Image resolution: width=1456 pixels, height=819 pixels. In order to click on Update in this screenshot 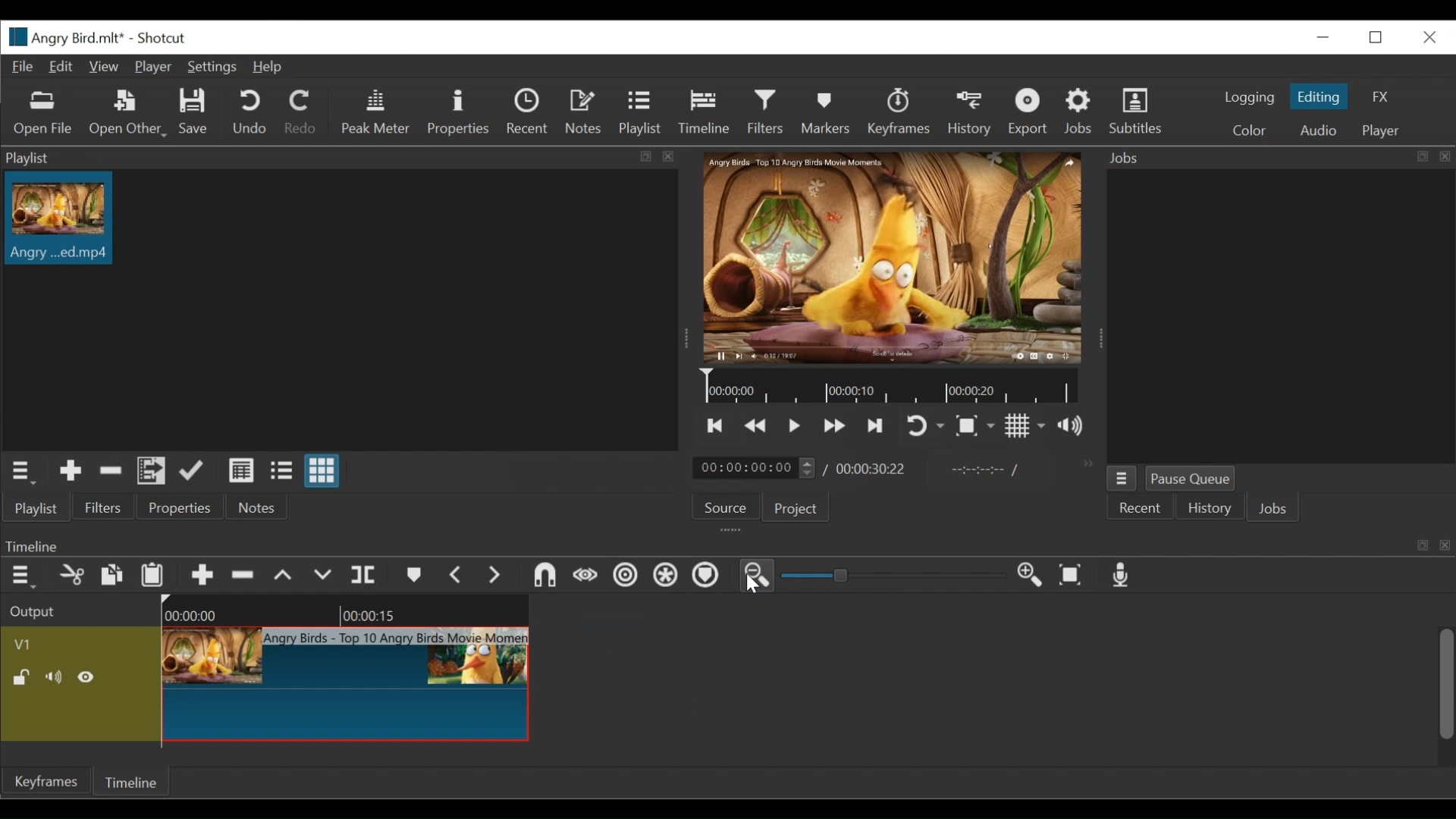, I will do `click(193, 471)`.